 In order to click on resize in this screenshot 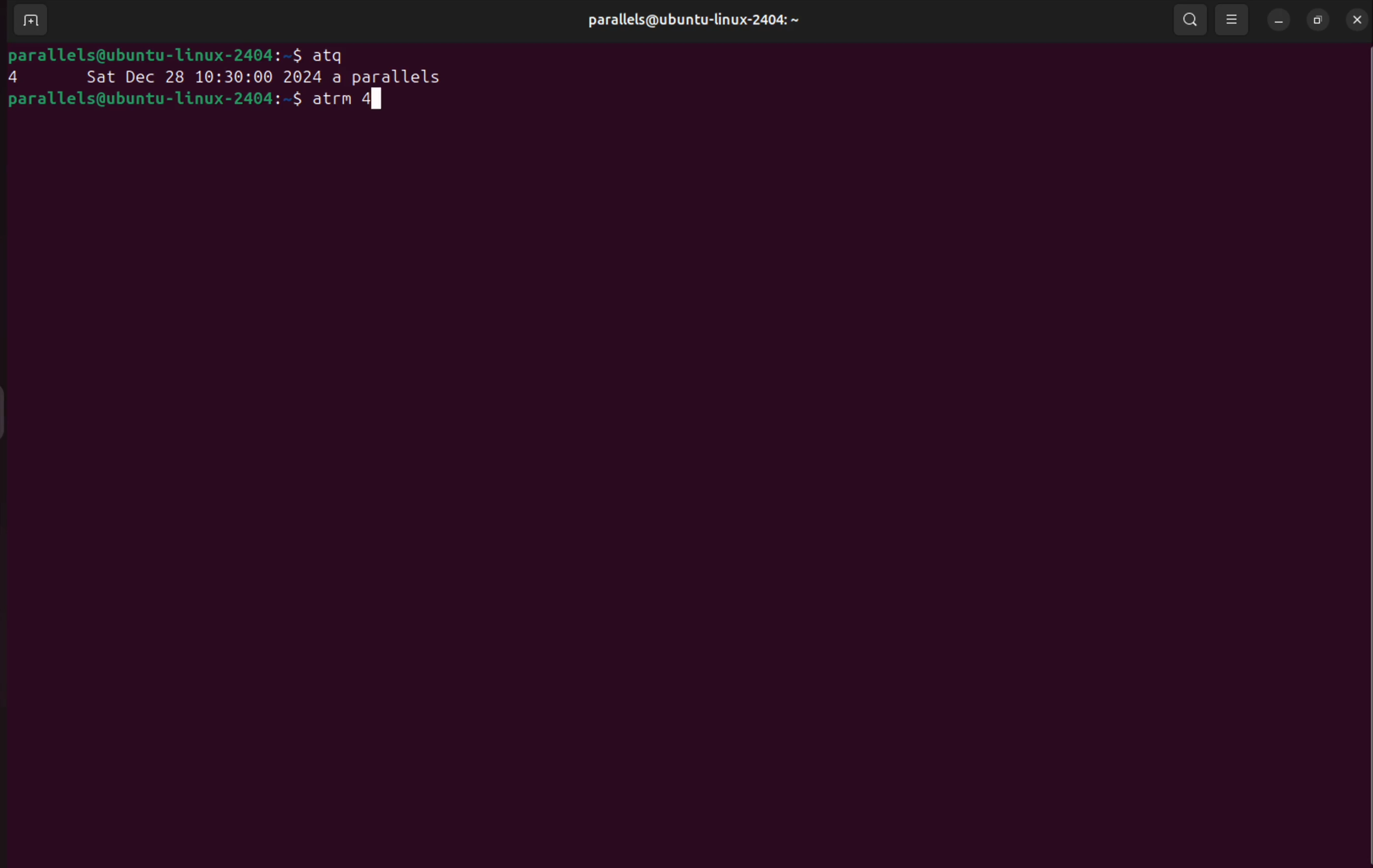, I will do `click(1316, 19)`.